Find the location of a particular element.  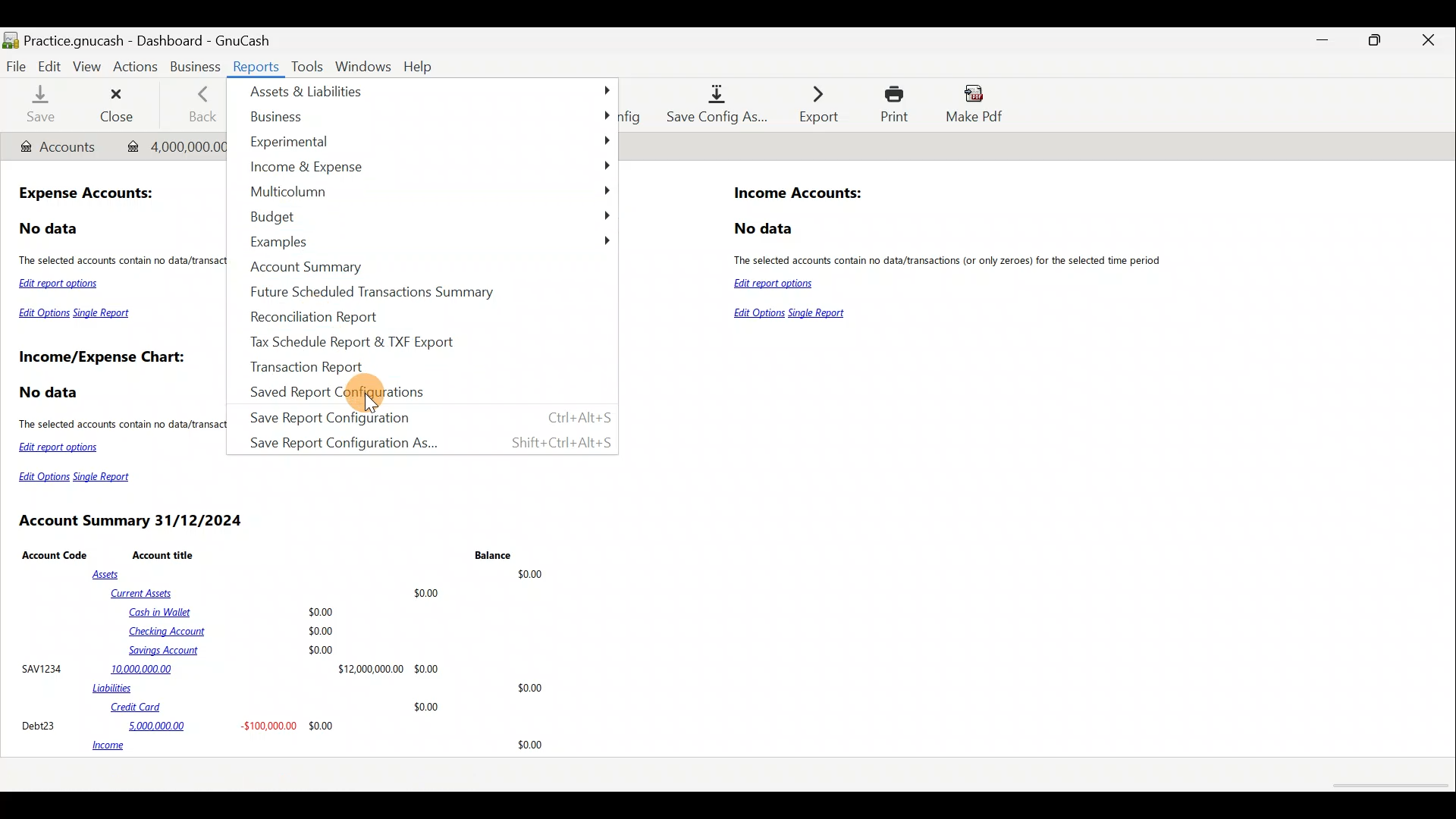

Business is located at coordinates (195, 65).